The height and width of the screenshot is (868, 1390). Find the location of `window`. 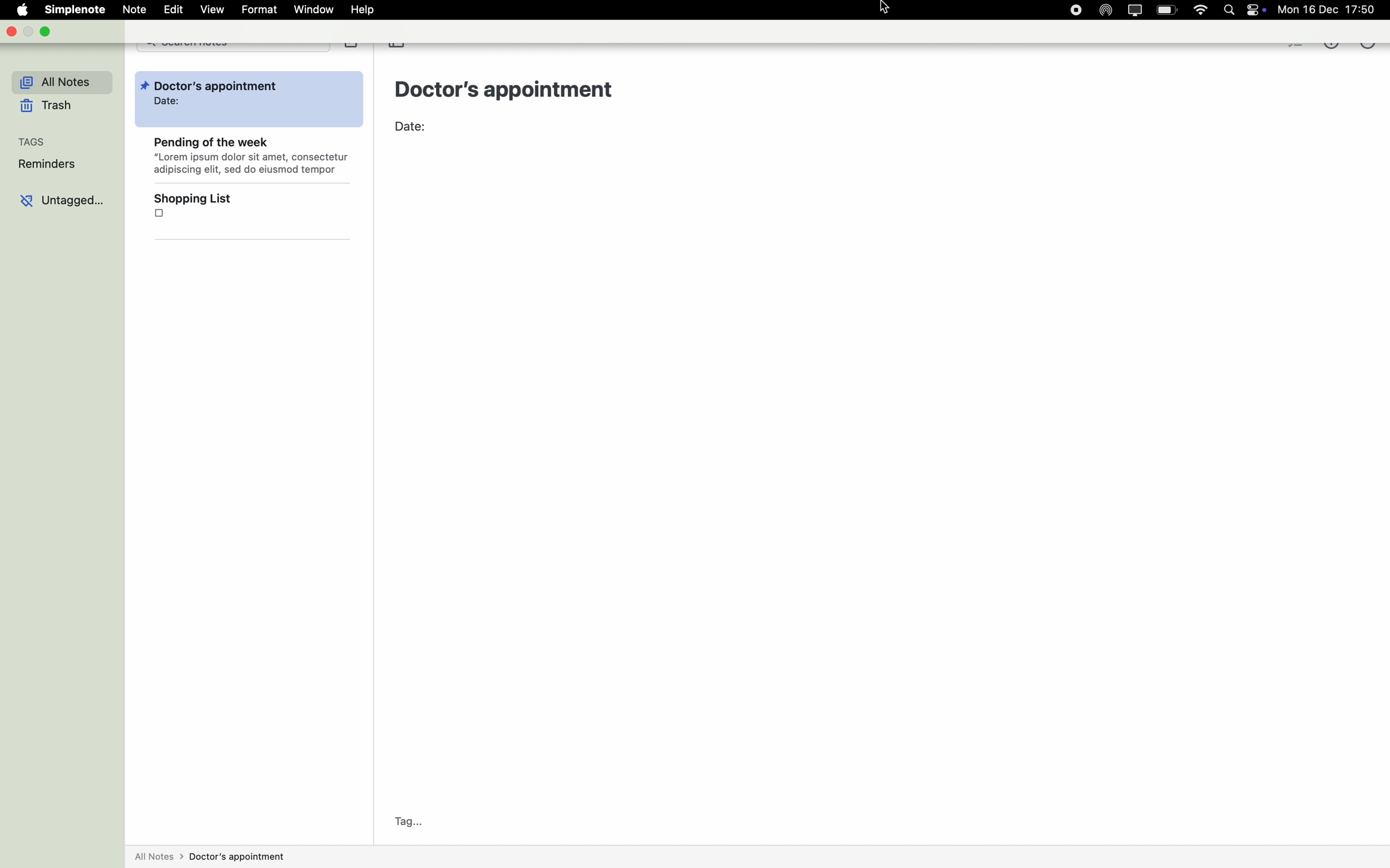

window is located at coordinates (315, 10).